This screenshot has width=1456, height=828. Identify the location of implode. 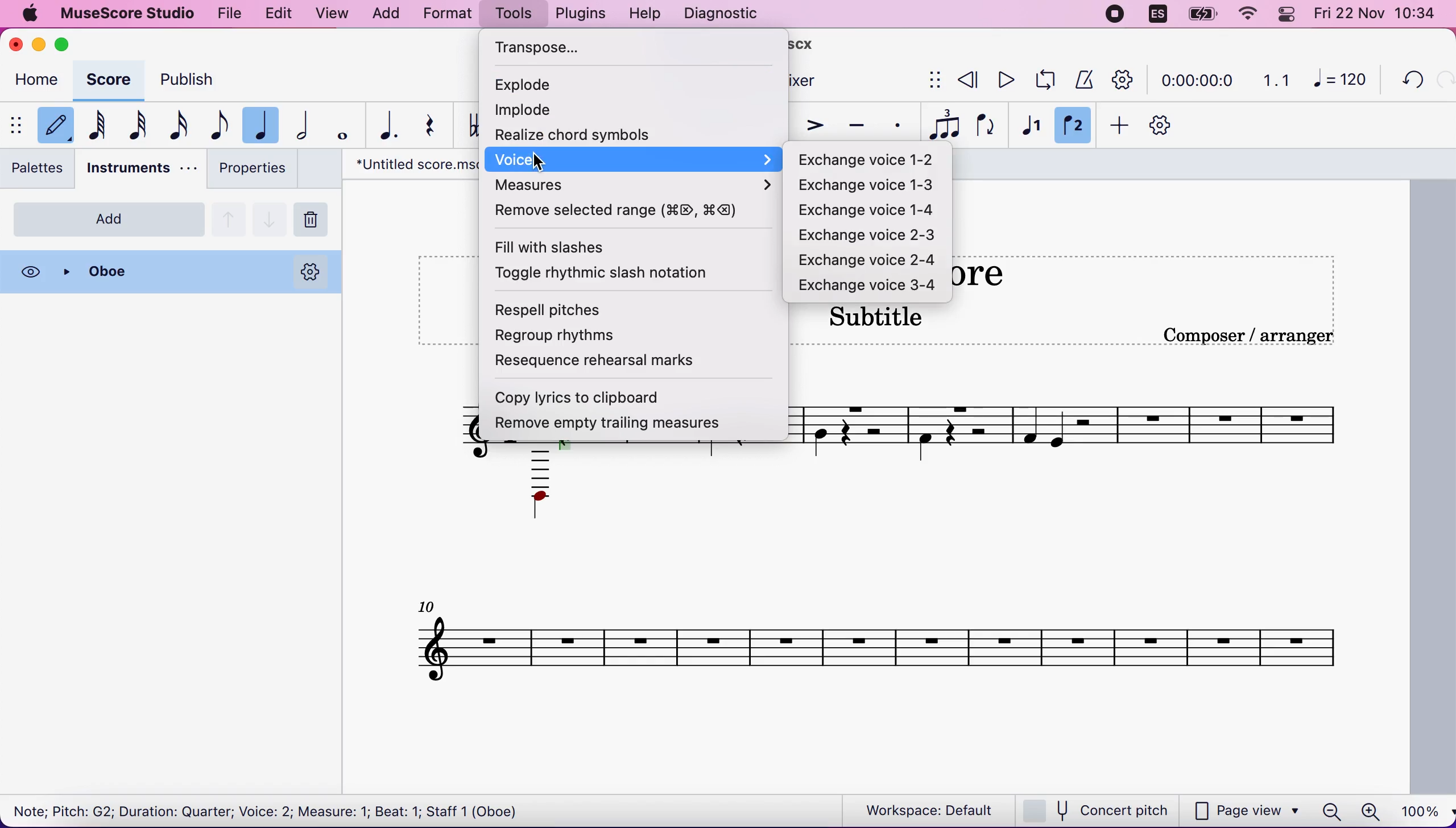
(541, 111).